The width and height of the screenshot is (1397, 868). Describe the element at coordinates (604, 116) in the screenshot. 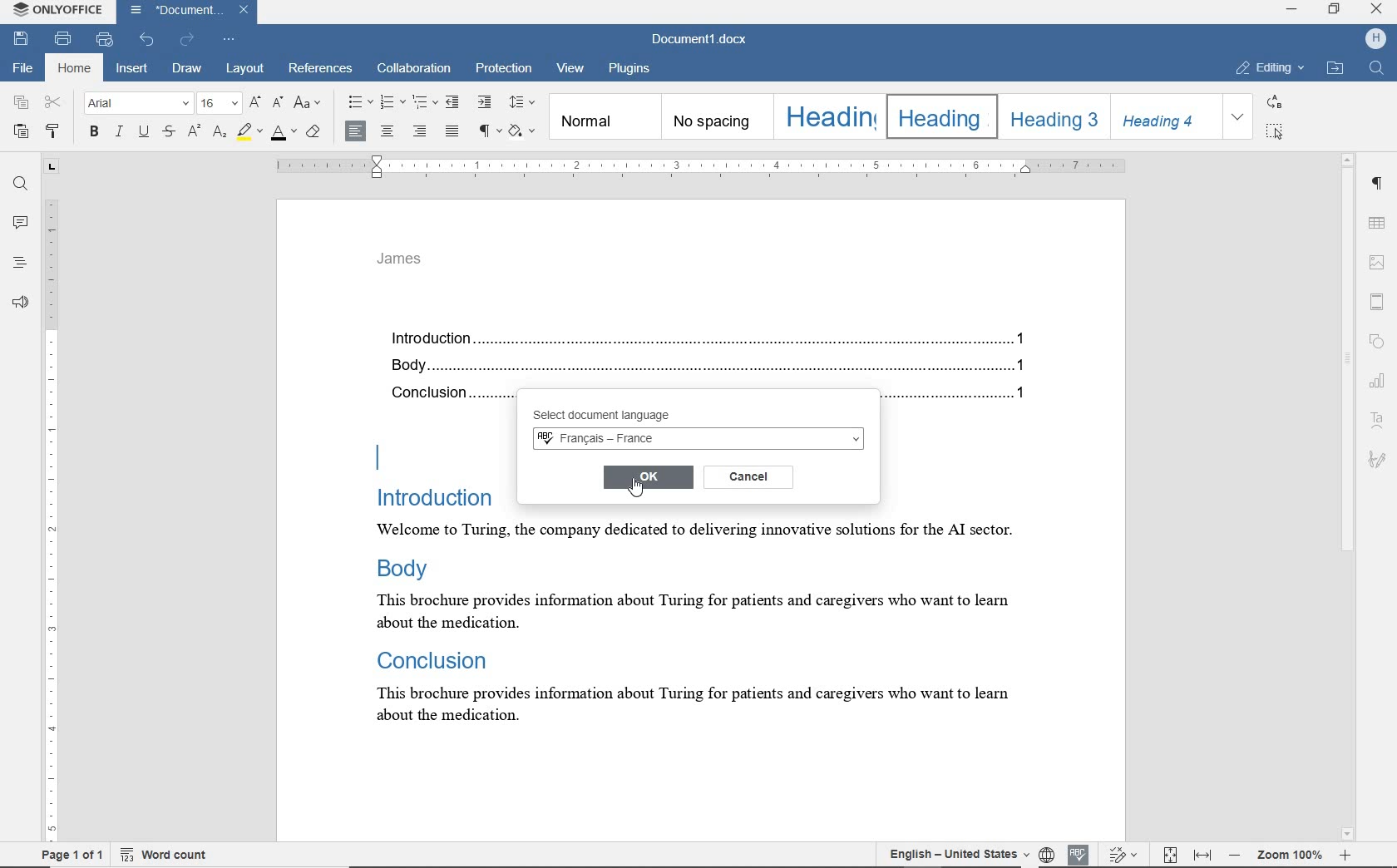

I see `normal` at that location.